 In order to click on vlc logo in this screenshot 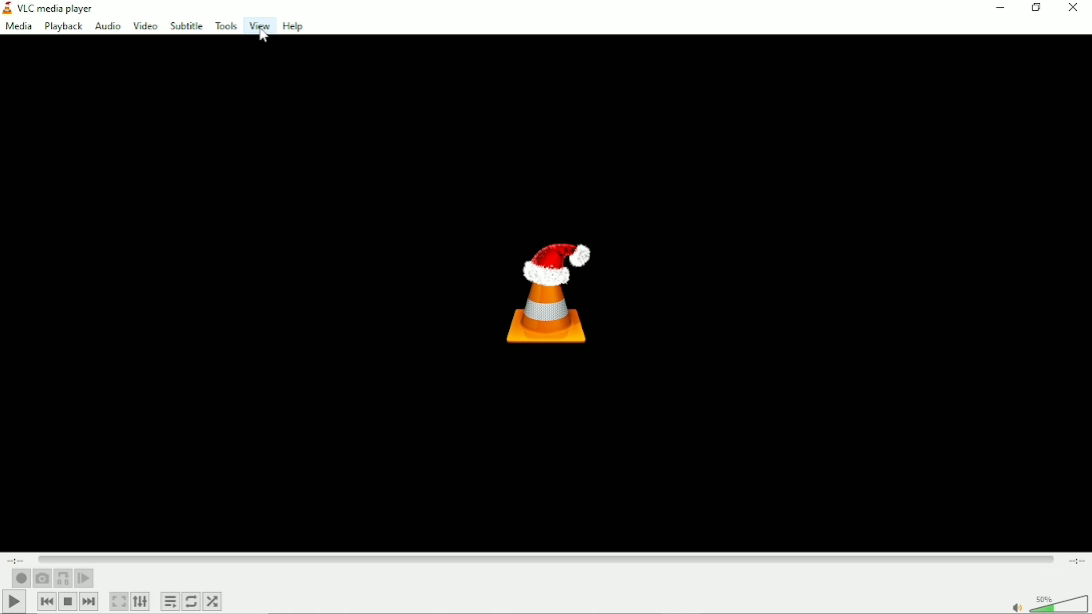, I will do `click(8, 8)`.